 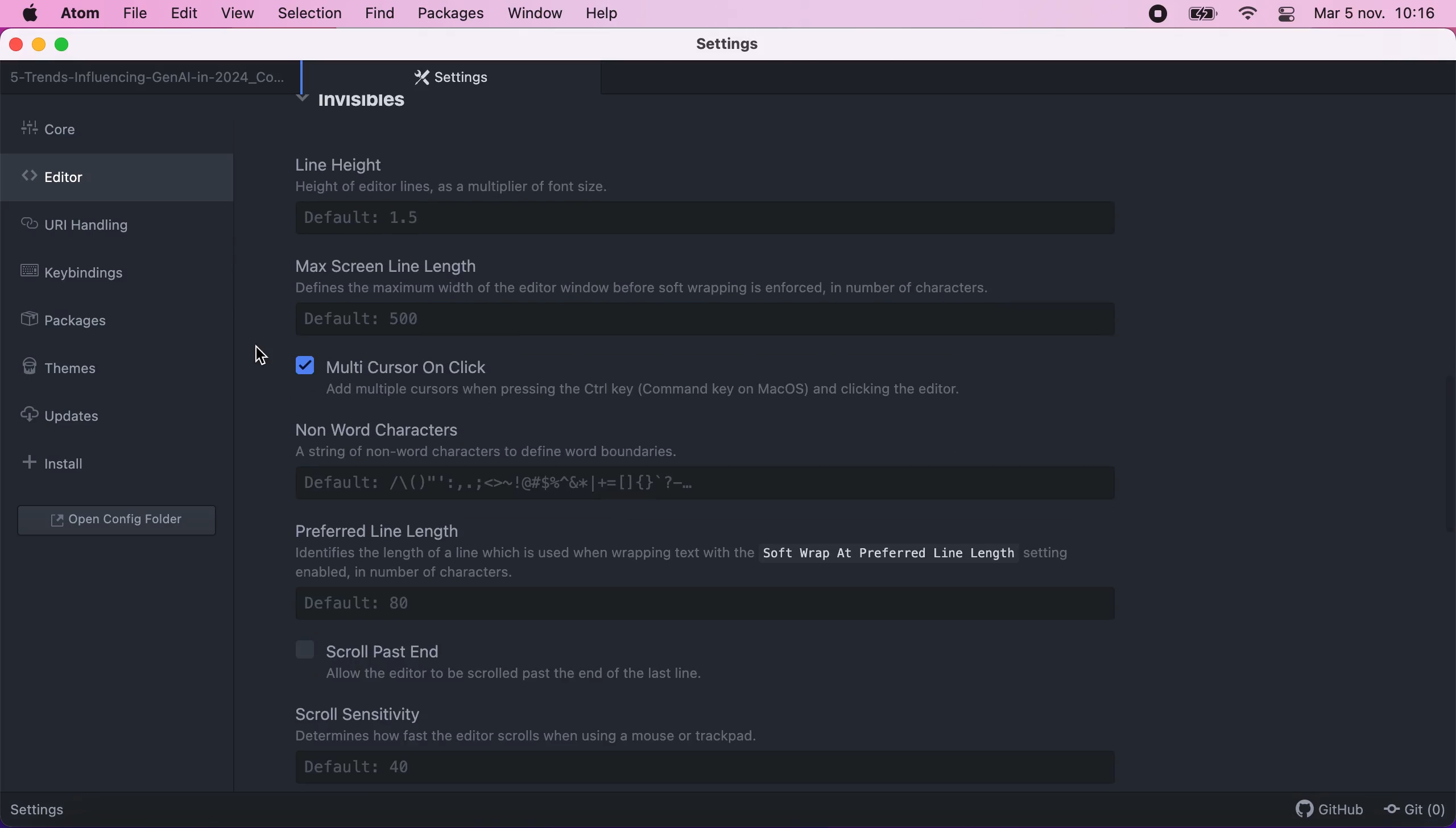 I want to click on settings tab, so click(x=445, y=77).